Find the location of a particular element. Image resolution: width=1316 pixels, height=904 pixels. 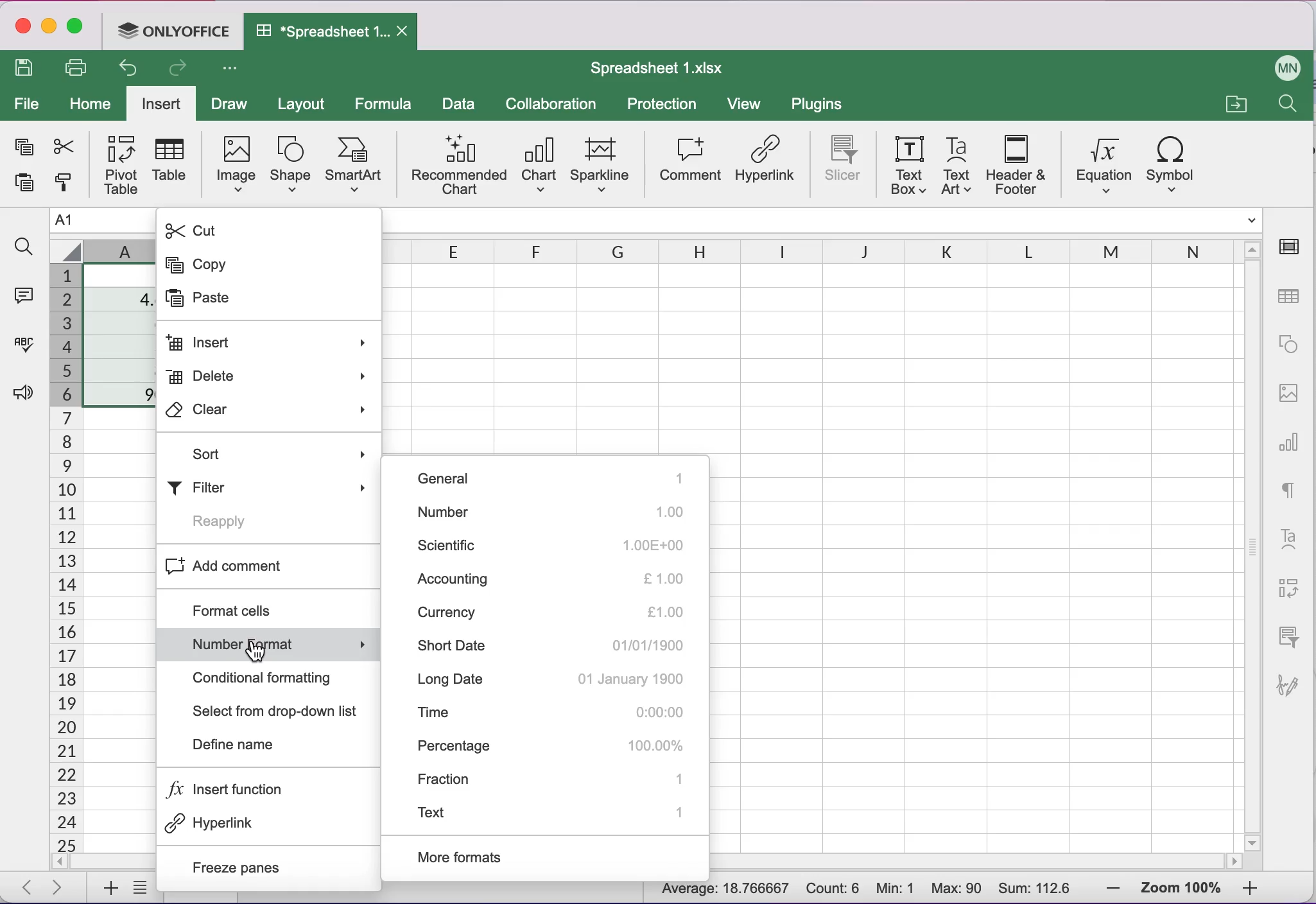

Cursor is located at coordinates (266, 647).